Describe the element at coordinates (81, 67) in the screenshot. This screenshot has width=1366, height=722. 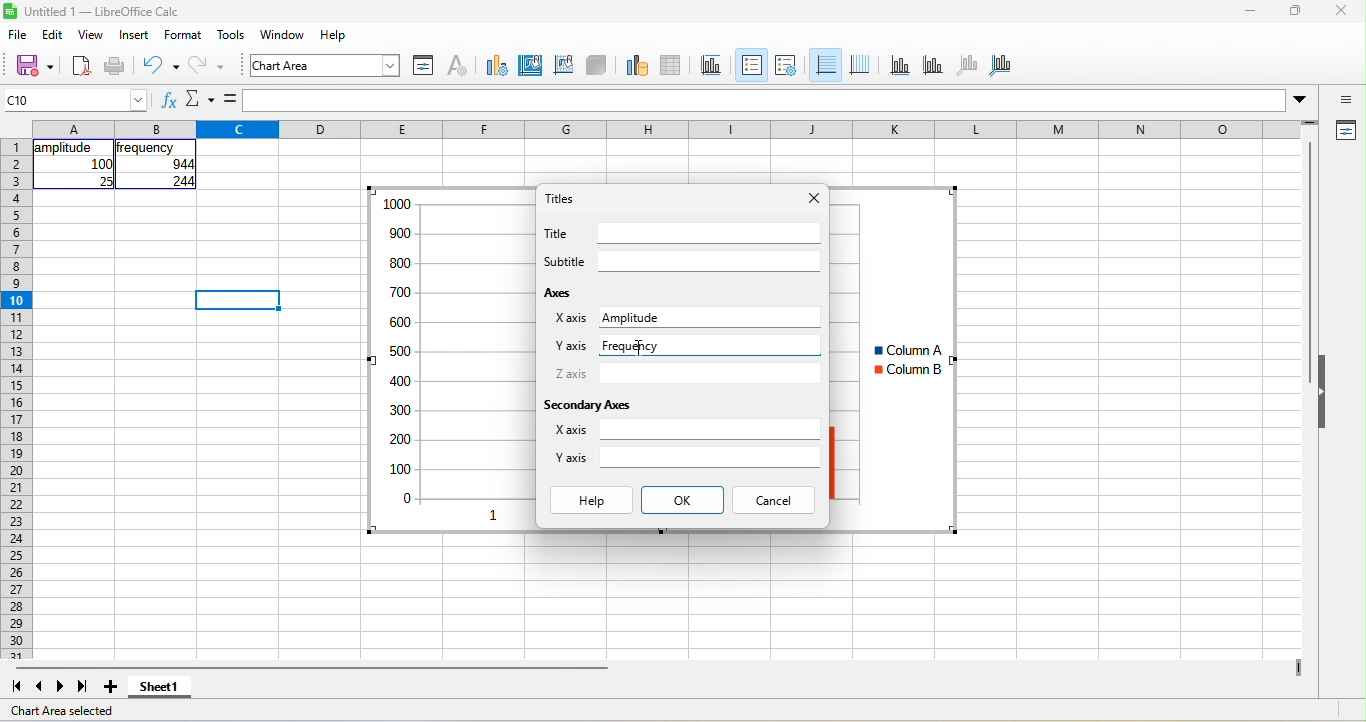
I see `export directly as pdf` at that location.